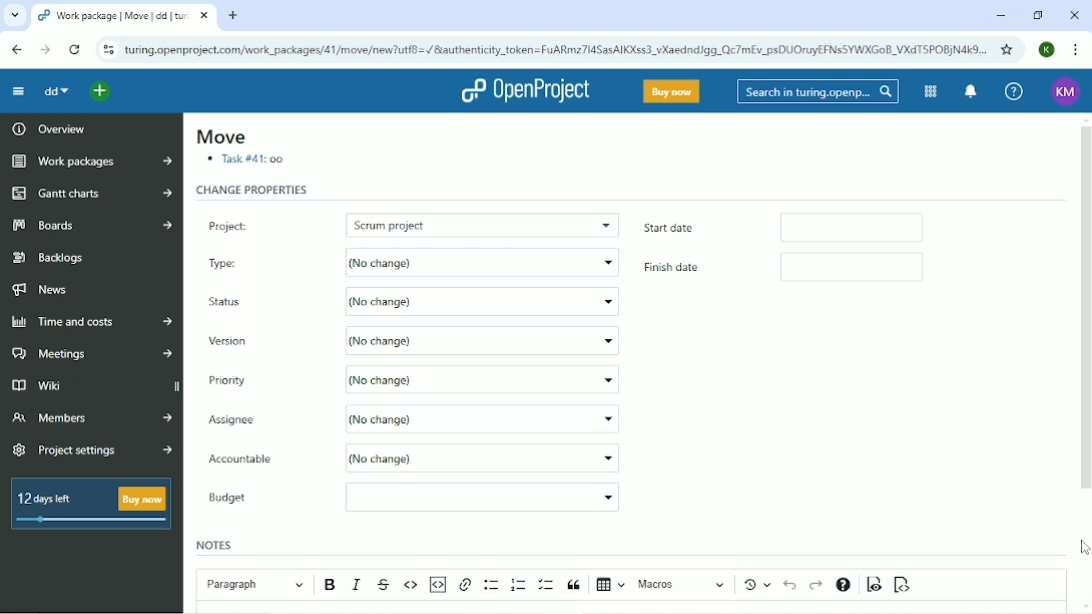 The width and height of the screenshot is (1092, 614). What do you see at coordinates (574, 585) in the screenshot?
I see `Block quote` at bounding box center [574, 585].